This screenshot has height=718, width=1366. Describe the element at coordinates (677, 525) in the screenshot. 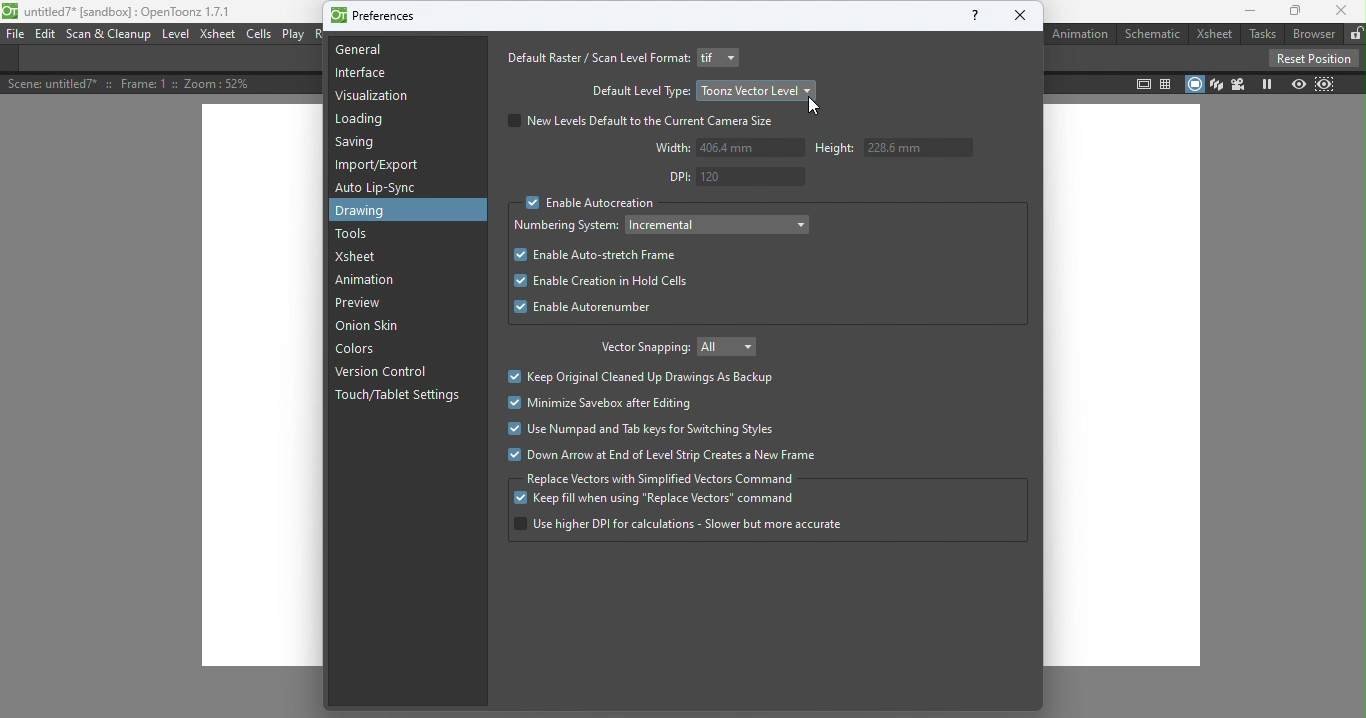

I see `Use higher DPI for calculation- slower but more accurate` at that location.